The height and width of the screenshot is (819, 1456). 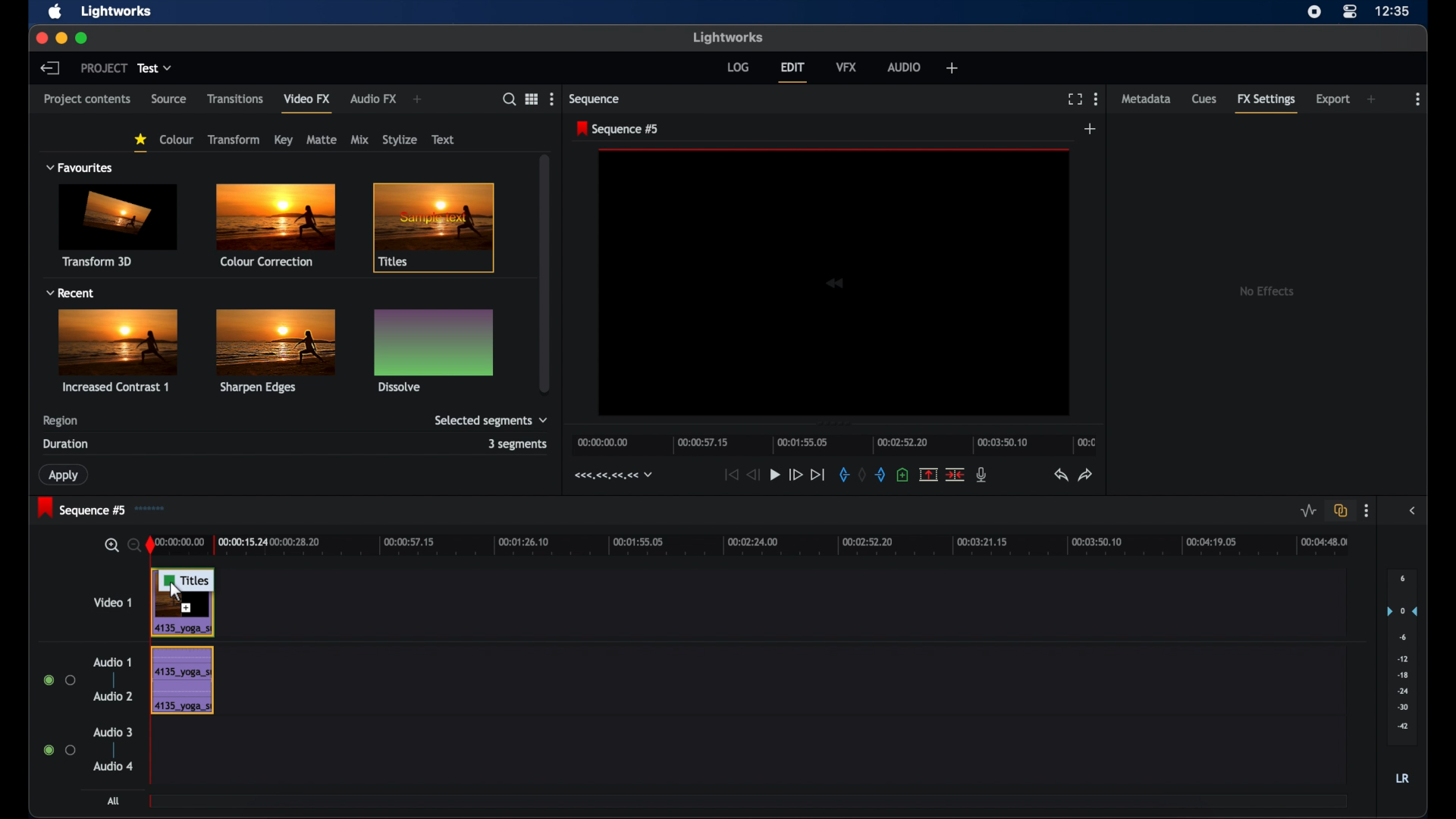 What do you see at coordinates (1314, 12) in the screenshot?
I see `screen recorder icon` at bounding box center [1314, 12].